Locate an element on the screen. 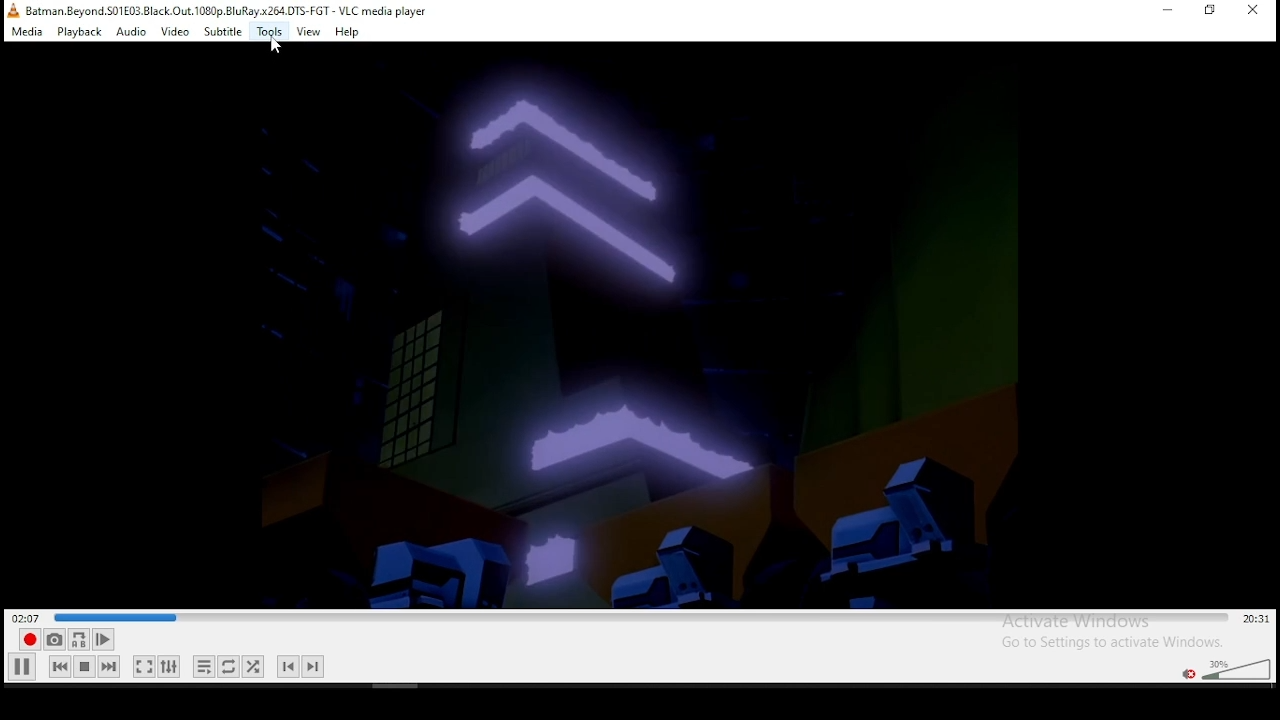 The image size is (1280, 720). minimize is located at coordinates (1170, 10).